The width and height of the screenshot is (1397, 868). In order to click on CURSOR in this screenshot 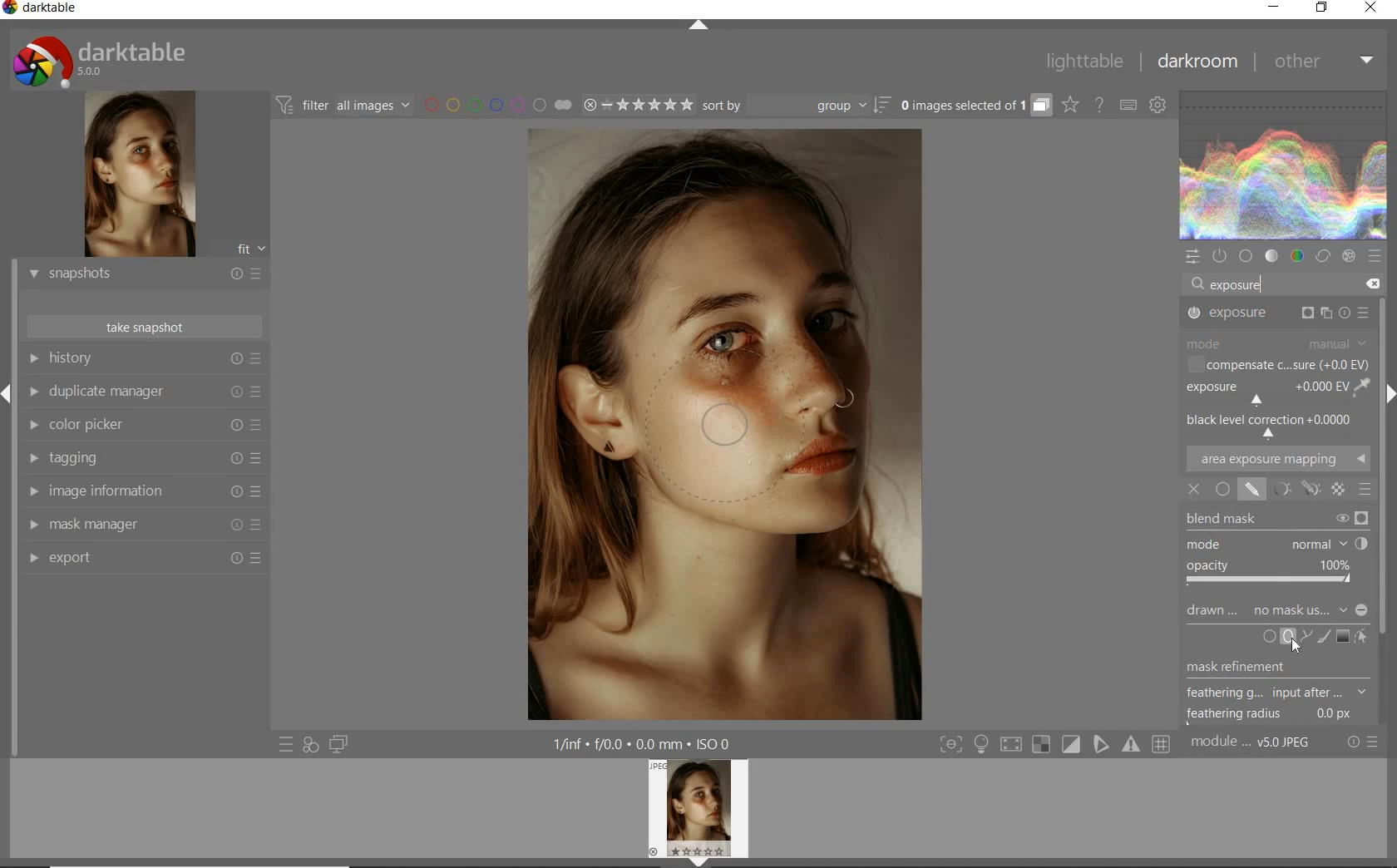, I will do `click(1295, 645)`.